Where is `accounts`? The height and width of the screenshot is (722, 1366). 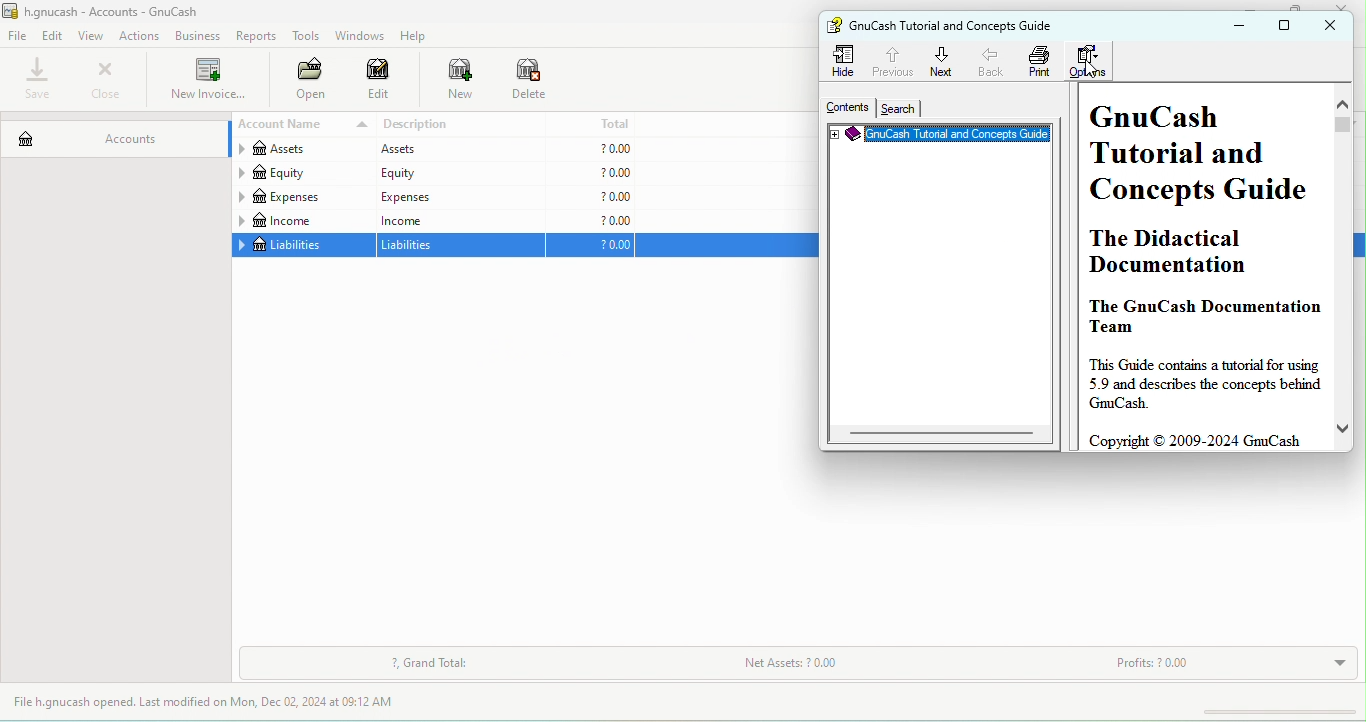
accounts is located at coordinates (112, 134).